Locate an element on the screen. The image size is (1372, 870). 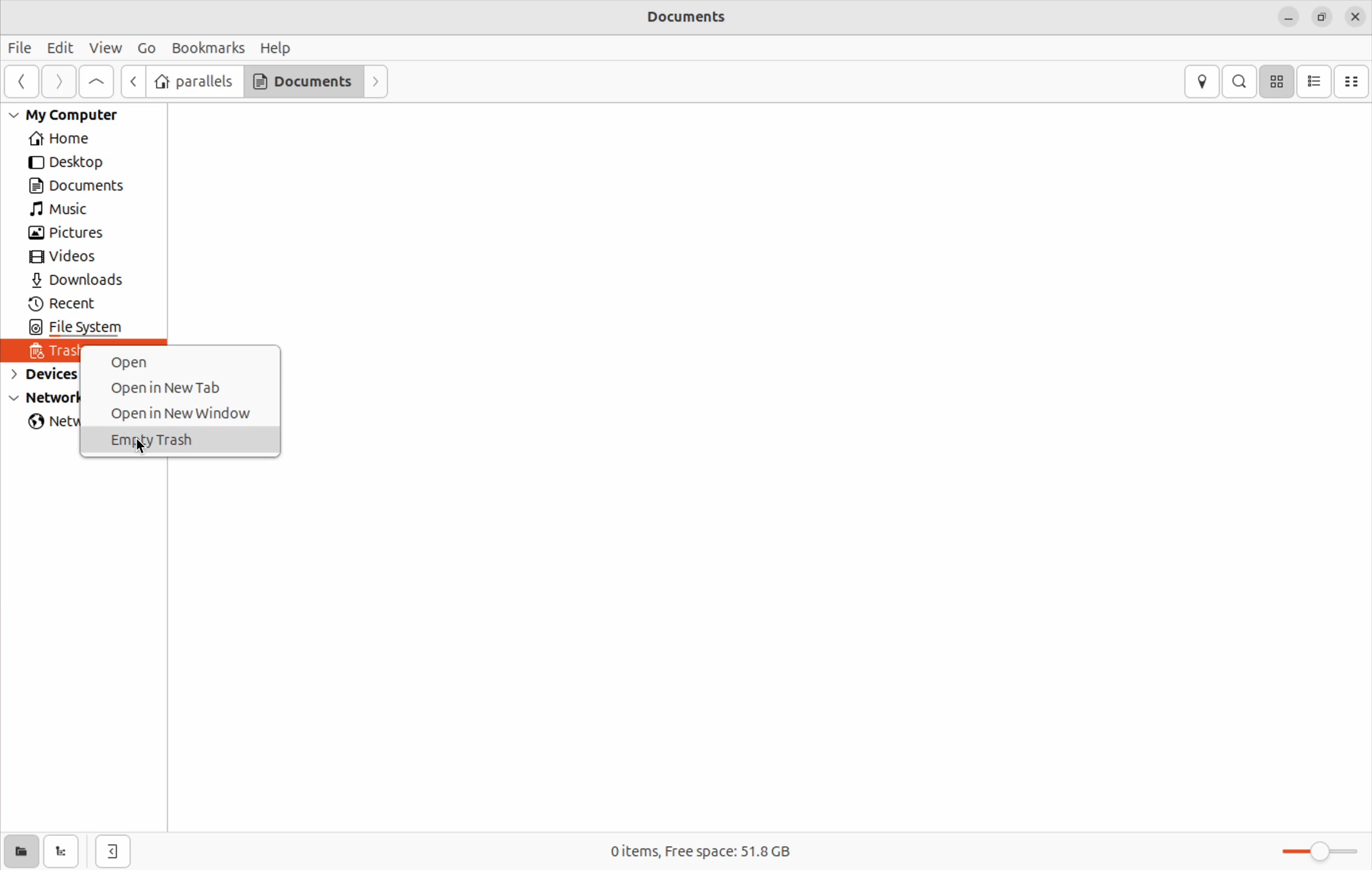
show tree view is located at coordinates (60, 851).